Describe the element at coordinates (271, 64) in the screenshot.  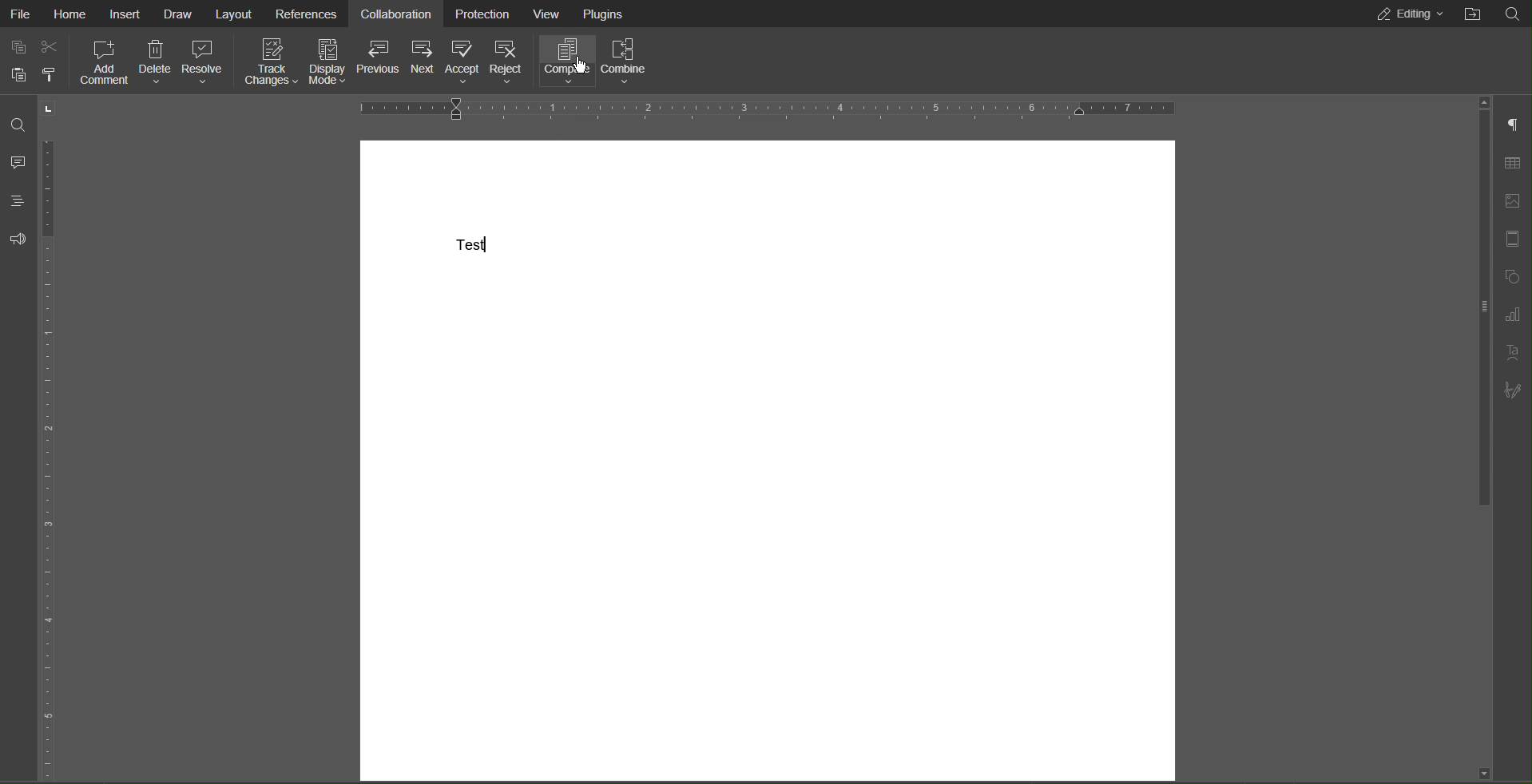
I see `Track Changes` at that location.